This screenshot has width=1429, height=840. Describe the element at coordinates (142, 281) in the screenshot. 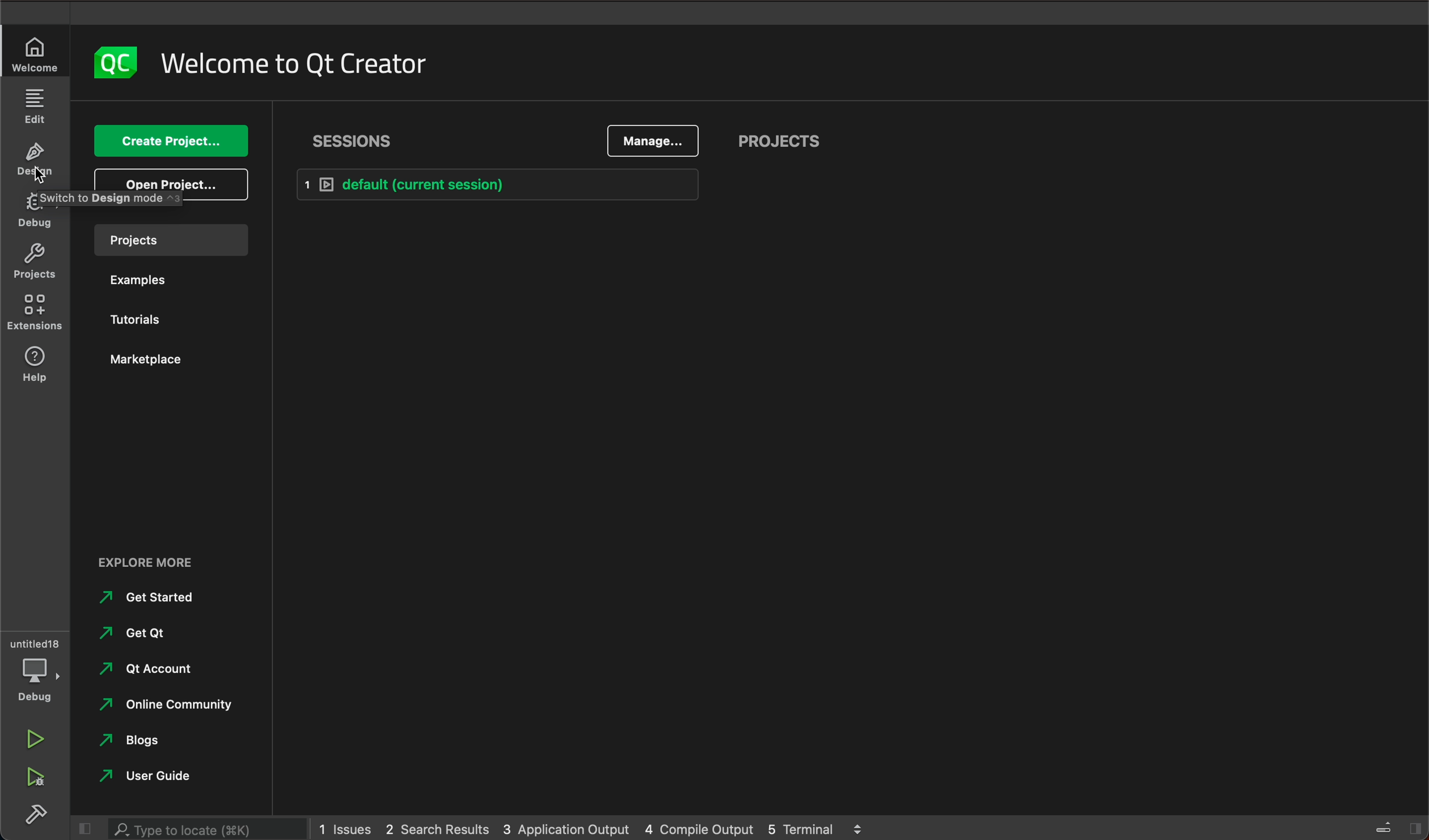

I see `examples` at that location.